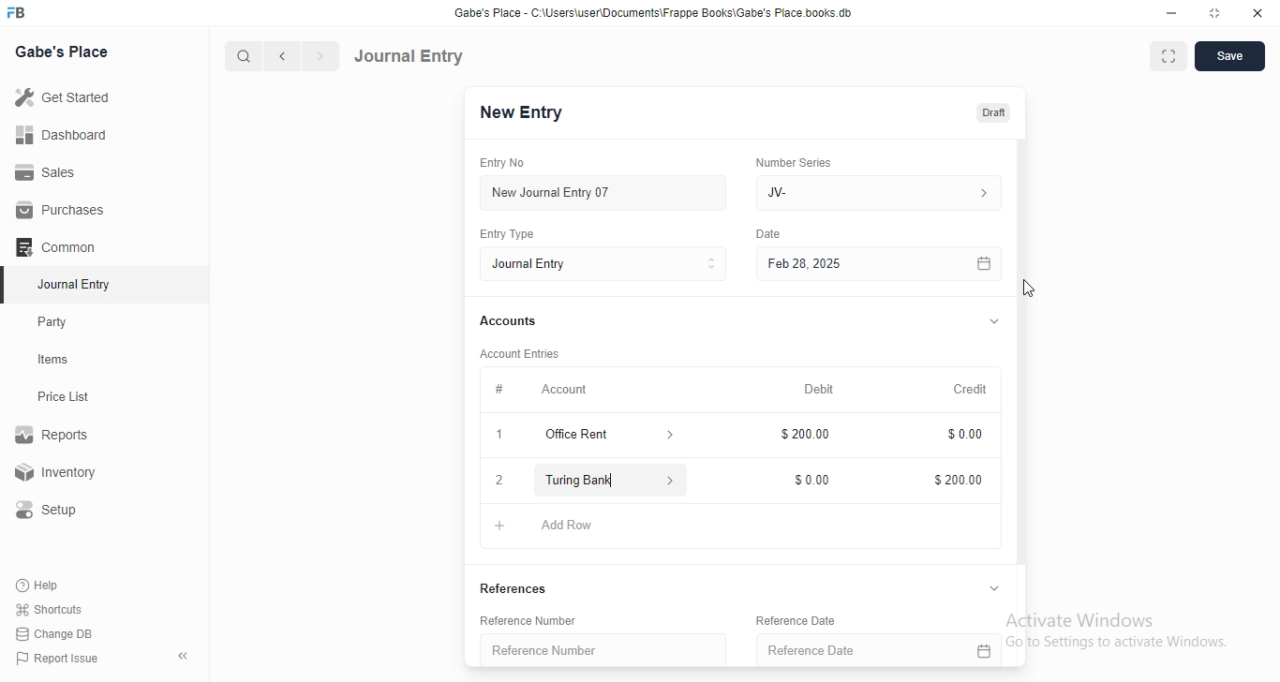  I want to click on Reference Date , so click(837, 619).